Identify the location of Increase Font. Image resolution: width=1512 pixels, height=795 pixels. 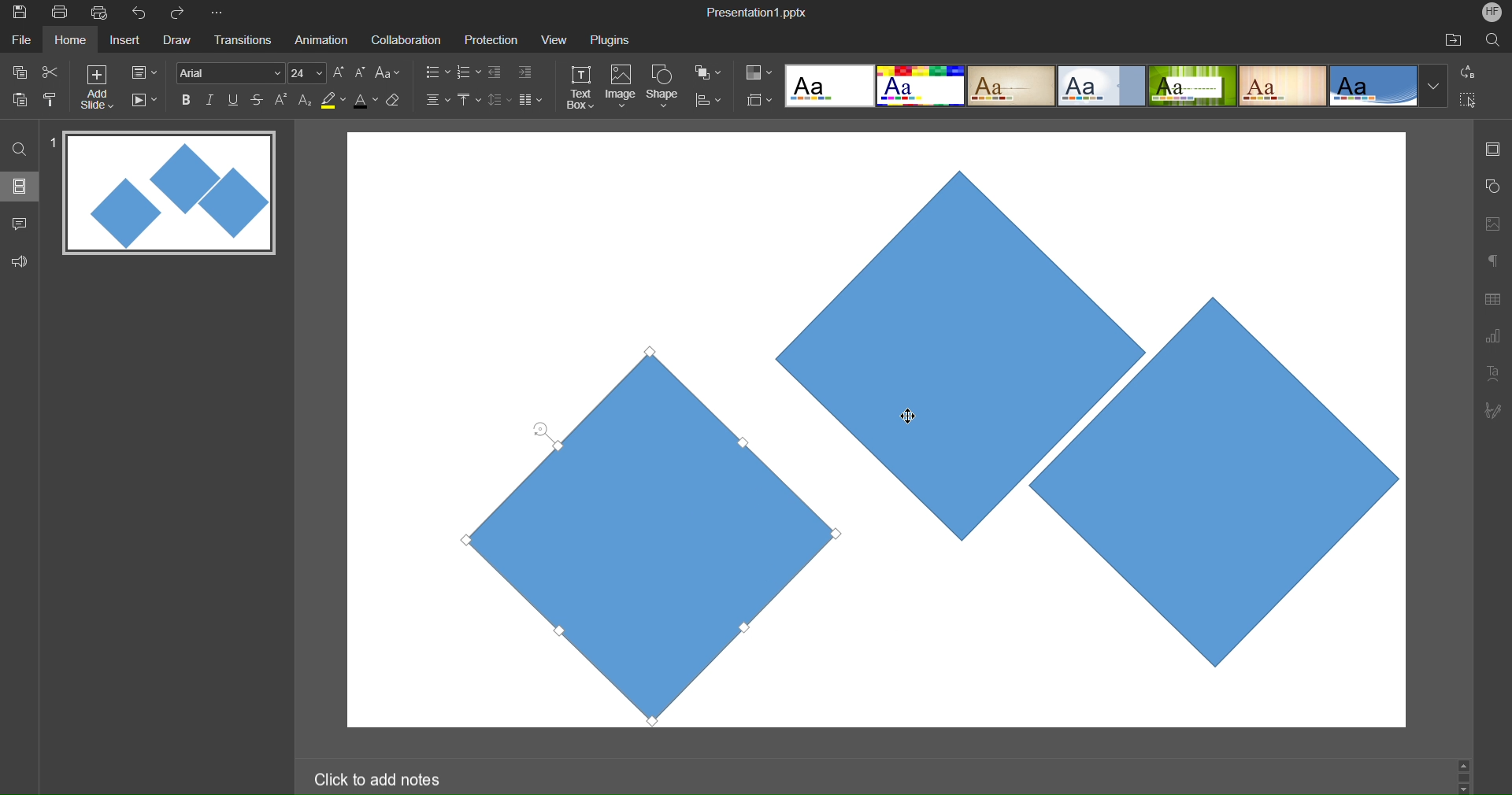
(339, 72).